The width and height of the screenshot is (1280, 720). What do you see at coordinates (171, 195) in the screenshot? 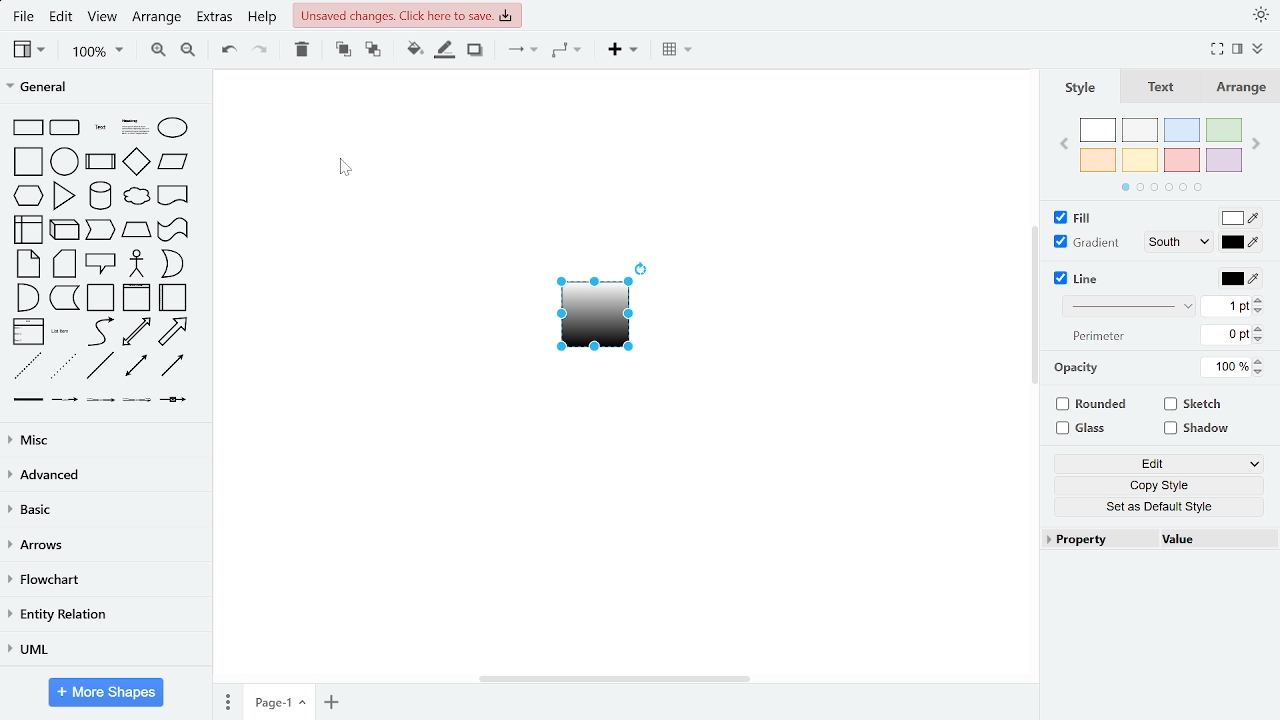
I see `general shapes` at bounding box center [171, 195].